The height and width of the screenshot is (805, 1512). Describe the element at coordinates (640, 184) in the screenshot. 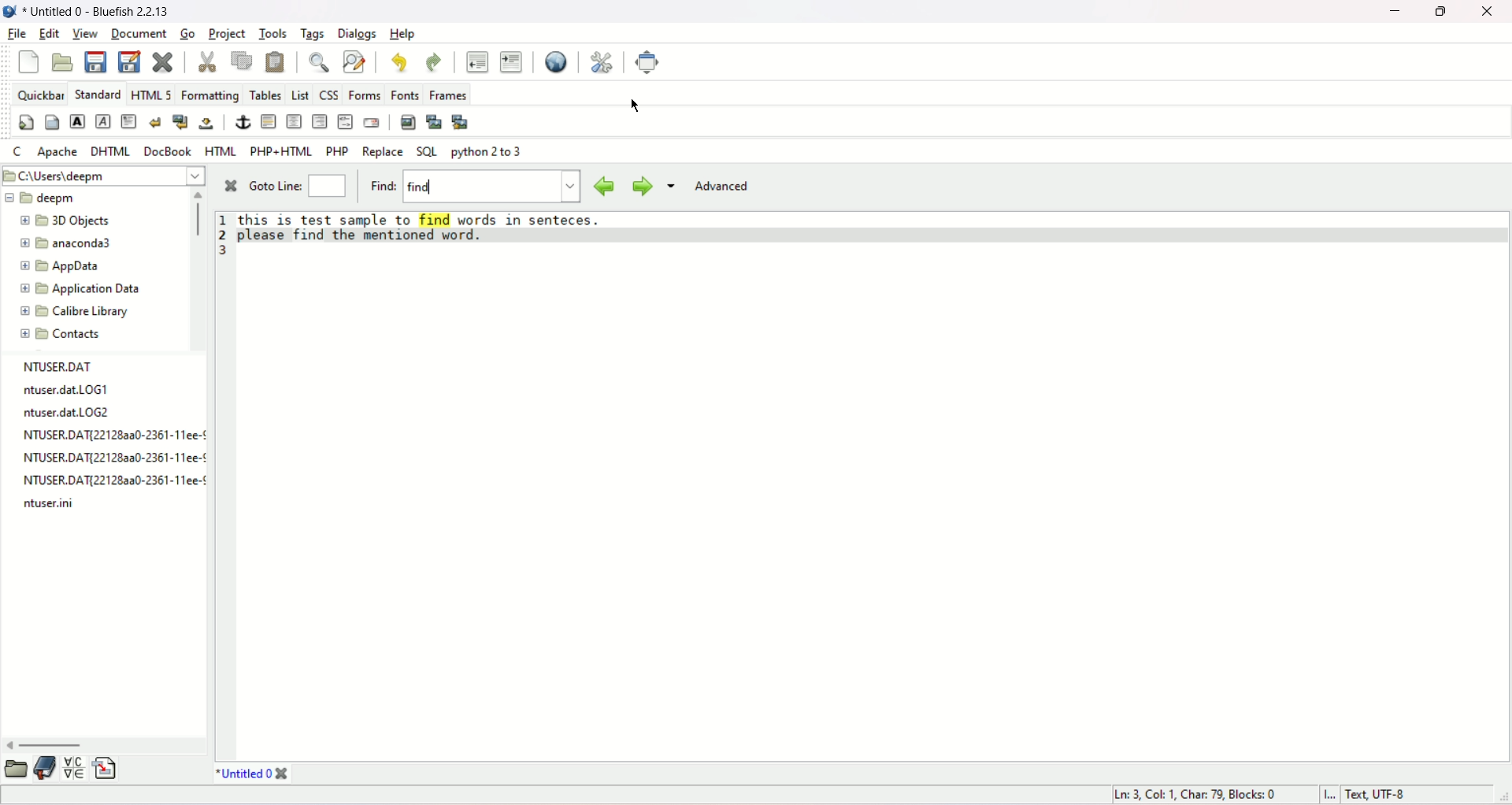

I see `next` at that location.